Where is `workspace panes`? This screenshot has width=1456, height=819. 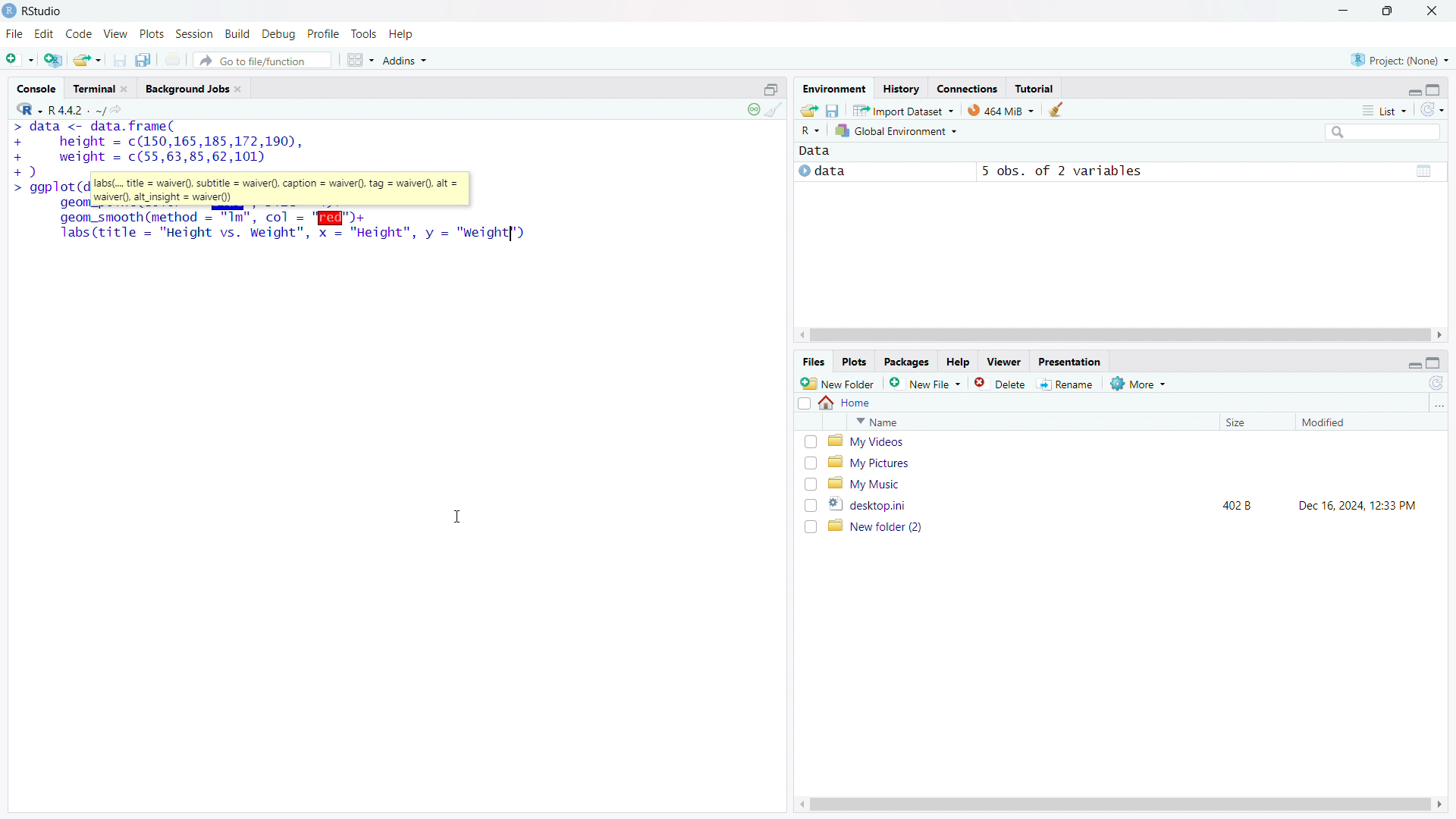
workspace panes is located at coordinates (359, 60).